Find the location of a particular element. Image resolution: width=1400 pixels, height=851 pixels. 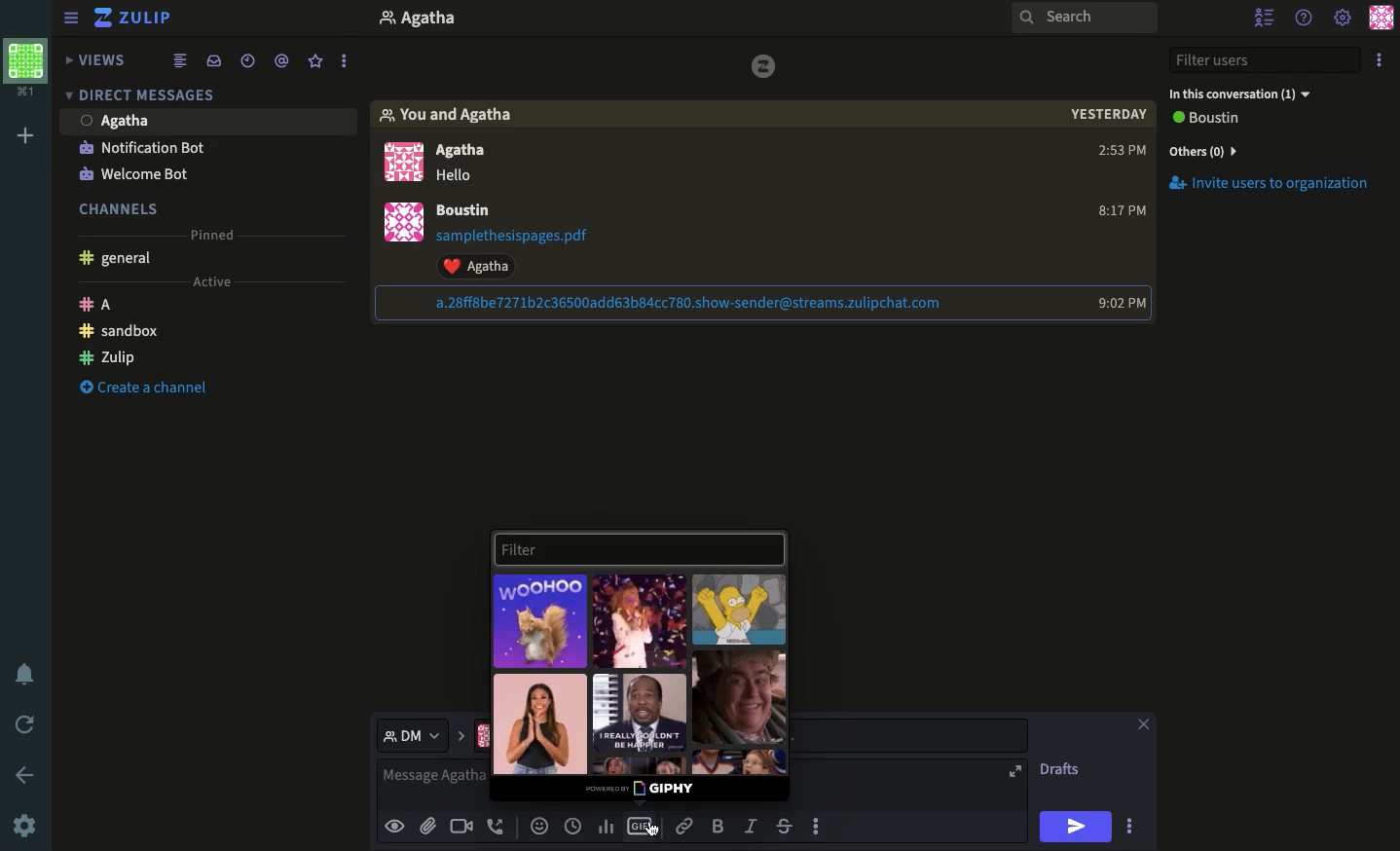

time is located at coordinates (1115, 153).